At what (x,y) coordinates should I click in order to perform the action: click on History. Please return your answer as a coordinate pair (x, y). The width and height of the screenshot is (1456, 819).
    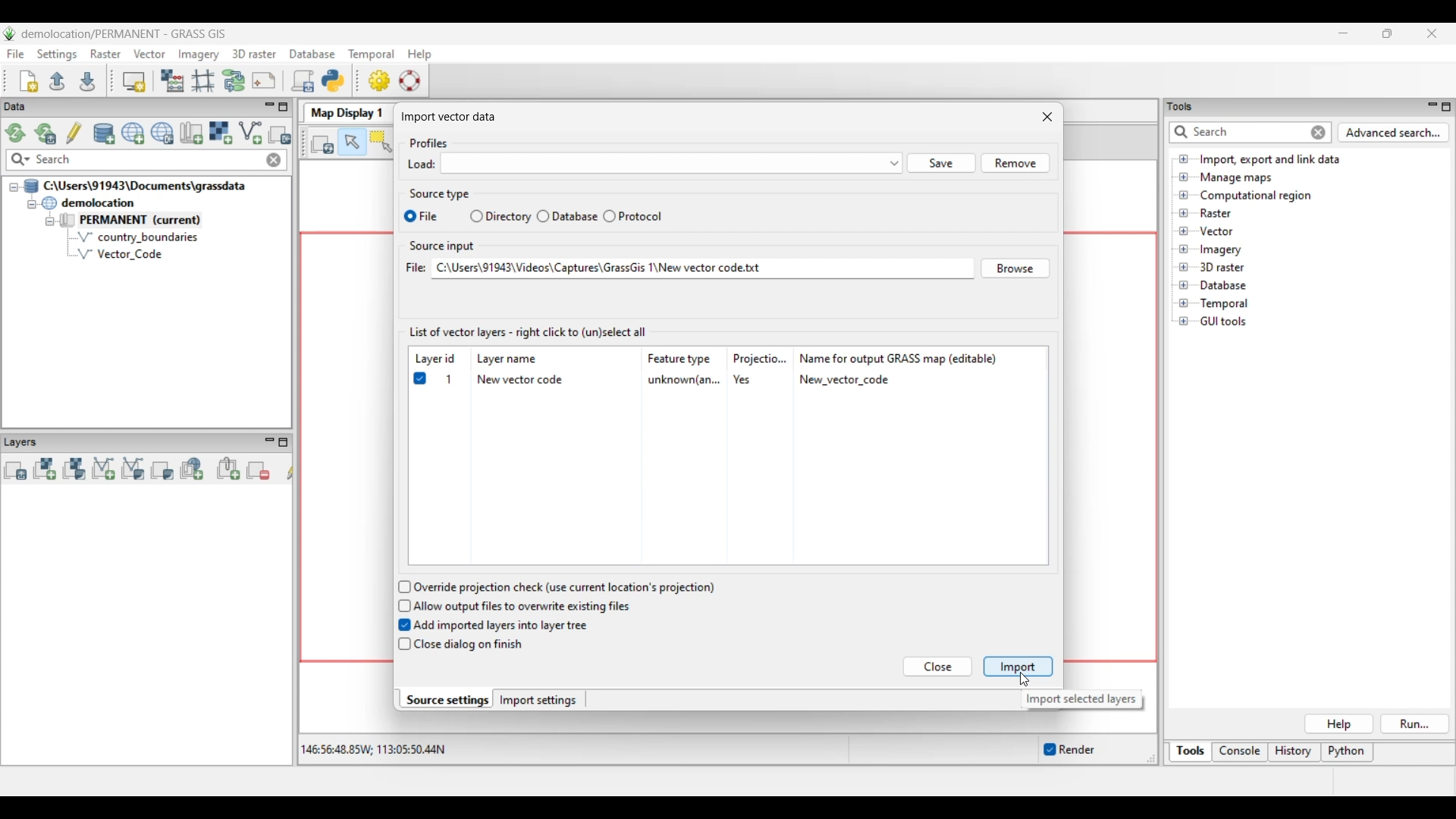
    Looking at the image, I should click on (1294, 752).